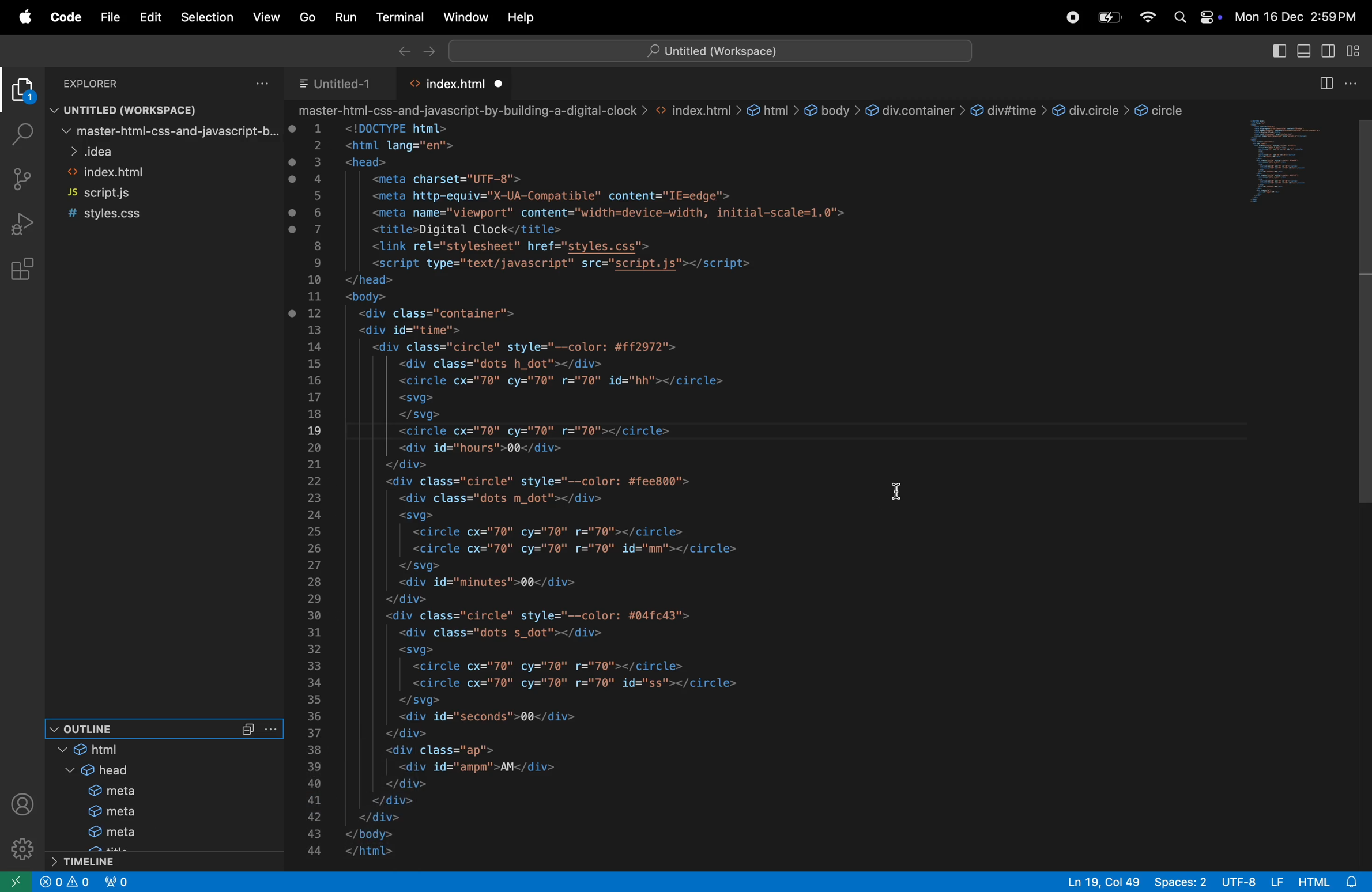 This screenshot has height=892, width=1372. Describe the element at coordinates (17, 851) in the screenshot. I see `settings` at that location.